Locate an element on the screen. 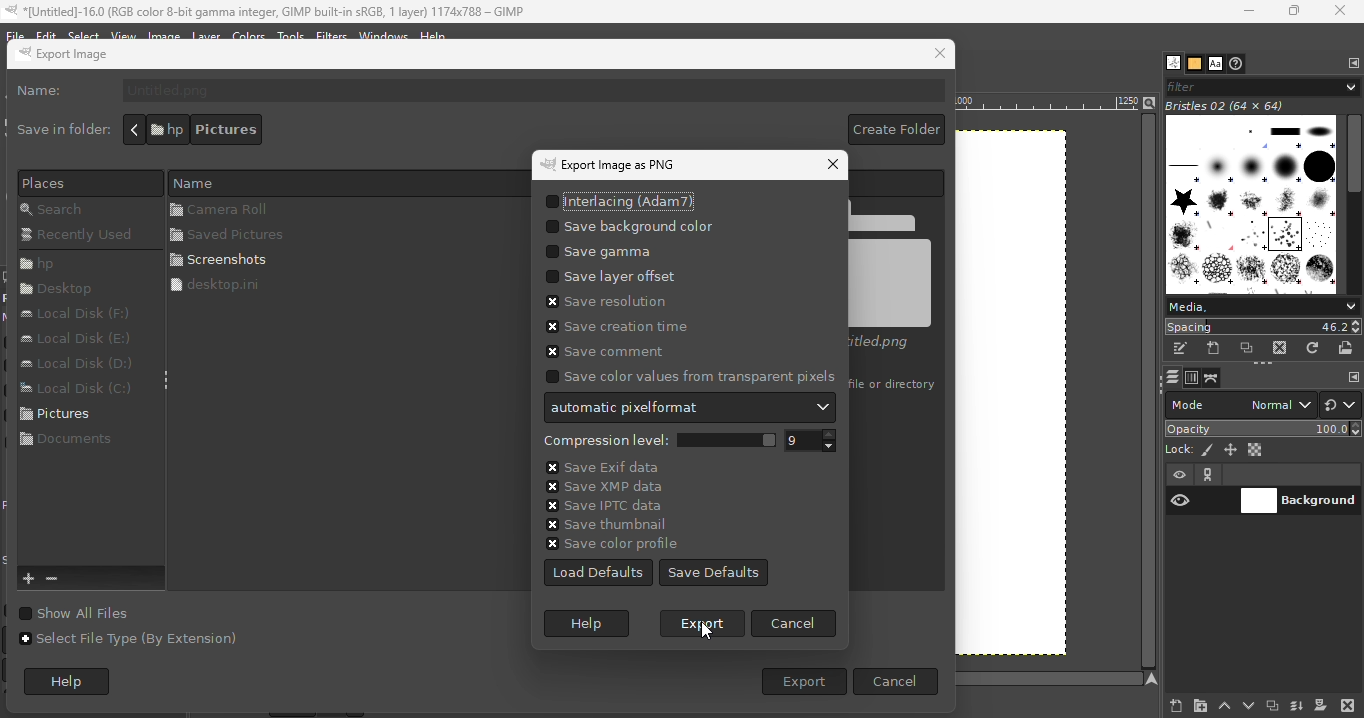  Lower this layer is located at coordinates (1250, 703).